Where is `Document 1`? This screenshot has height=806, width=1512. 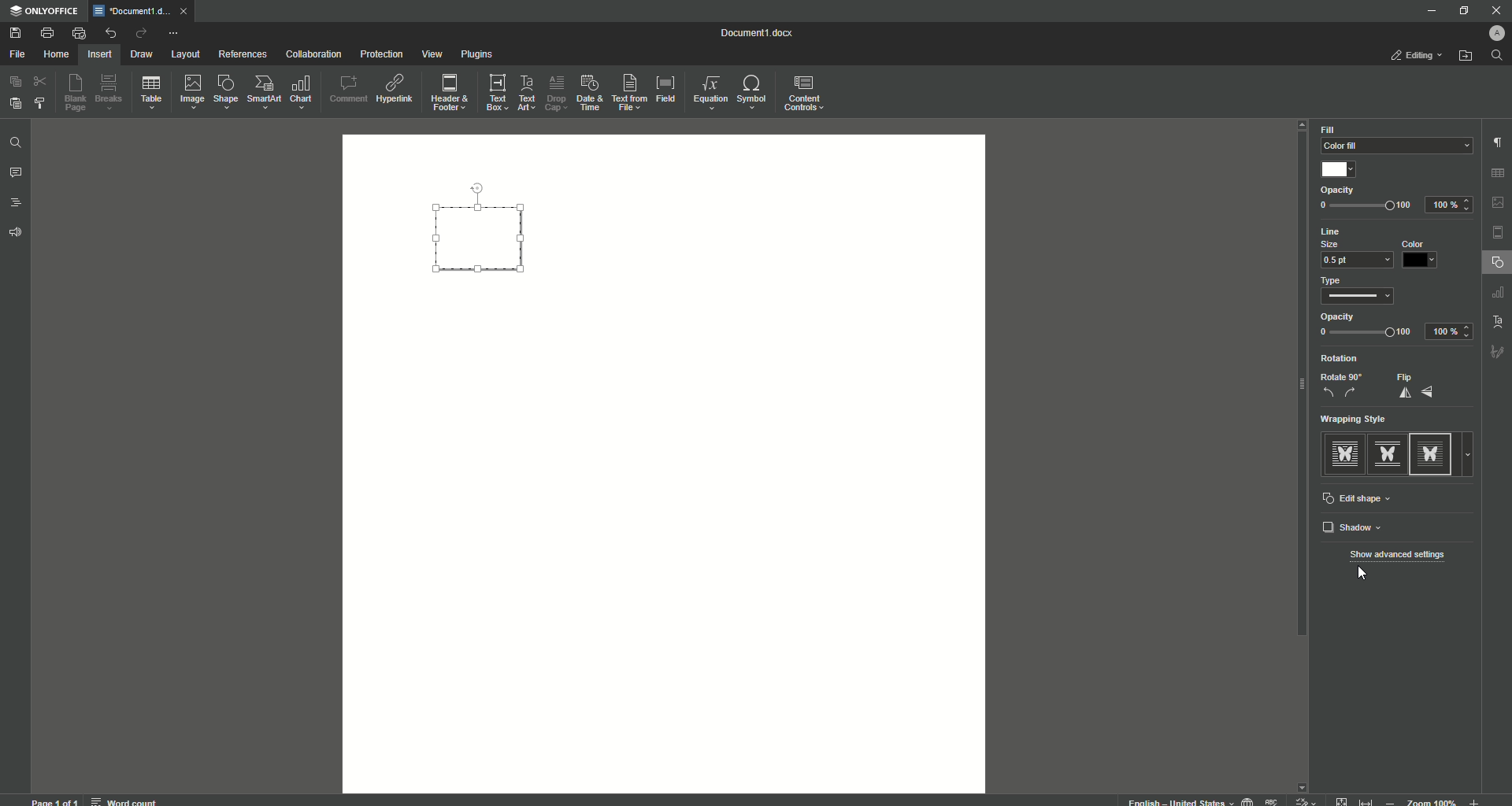
Document 1 is located at coordinates (766, 35).